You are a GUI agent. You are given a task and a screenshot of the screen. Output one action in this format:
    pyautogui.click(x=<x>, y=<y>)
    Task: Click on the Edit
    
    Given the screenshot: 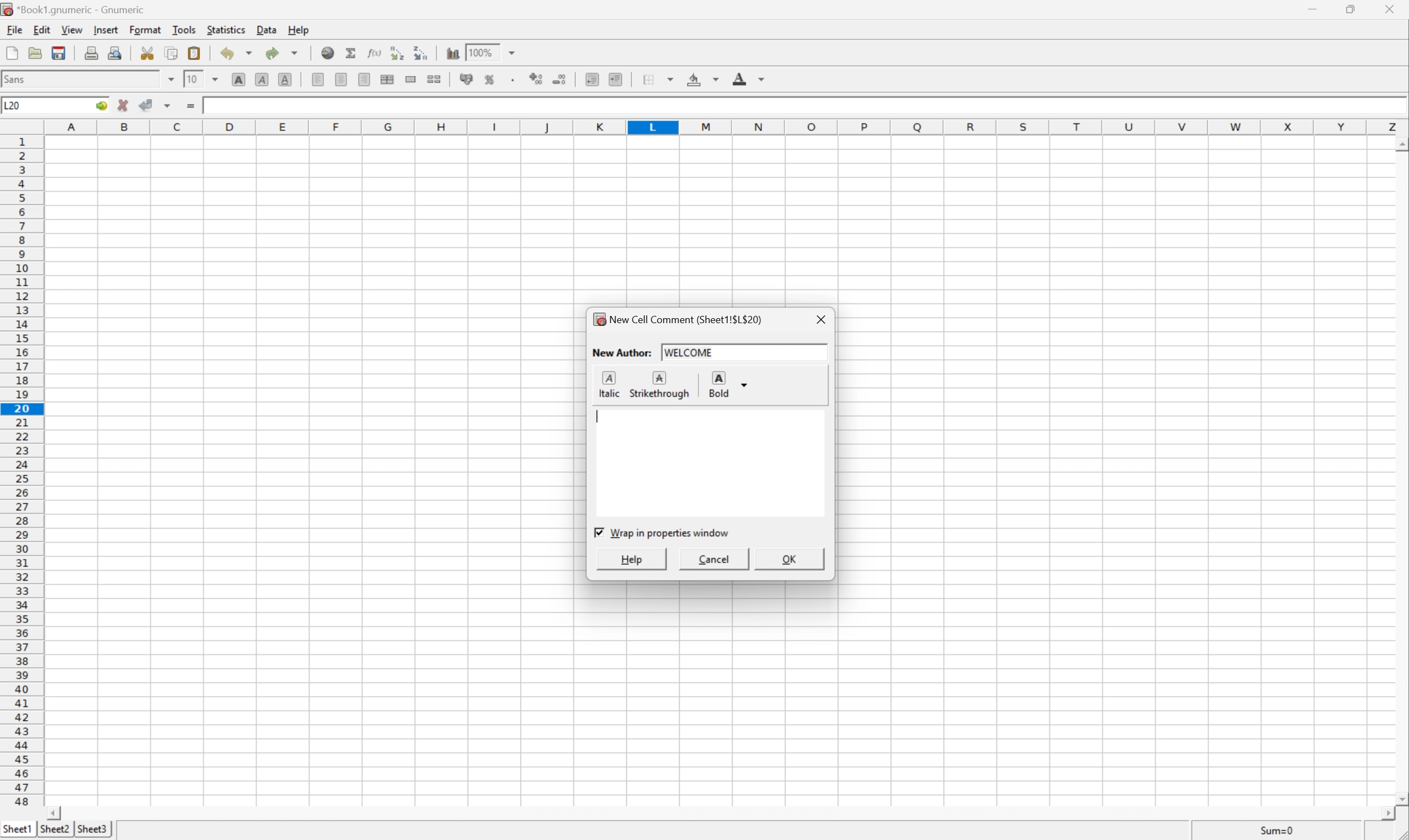 What is the action you would take?
    pyautogui.click(x=42, y=30)
    